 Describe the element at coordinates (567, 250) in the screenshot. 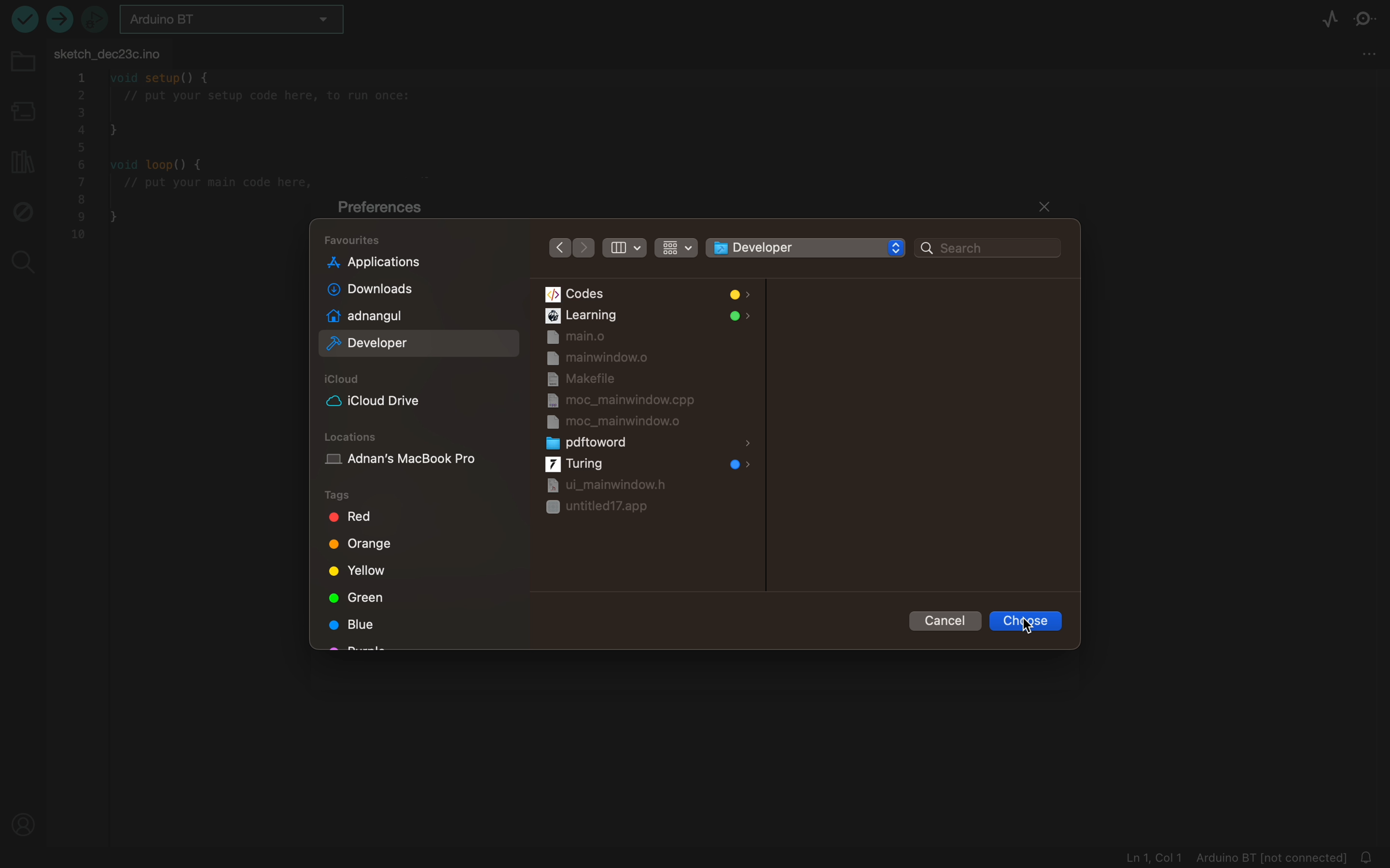

I see `arrows` at that location.